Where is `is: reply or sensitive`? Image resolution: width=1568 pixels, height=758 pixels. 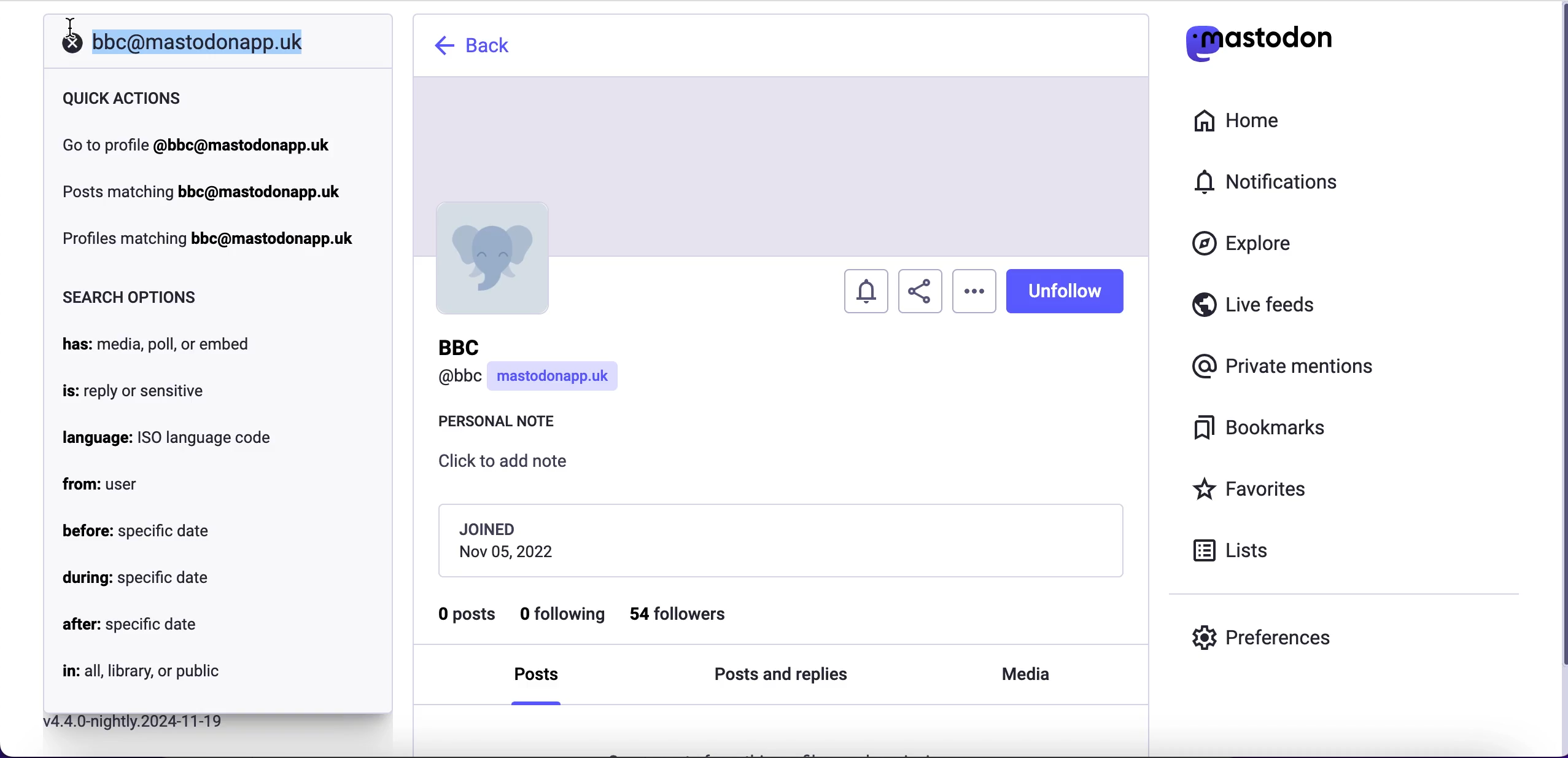
is: reply or sensitive is located at coordinates (133, 393).